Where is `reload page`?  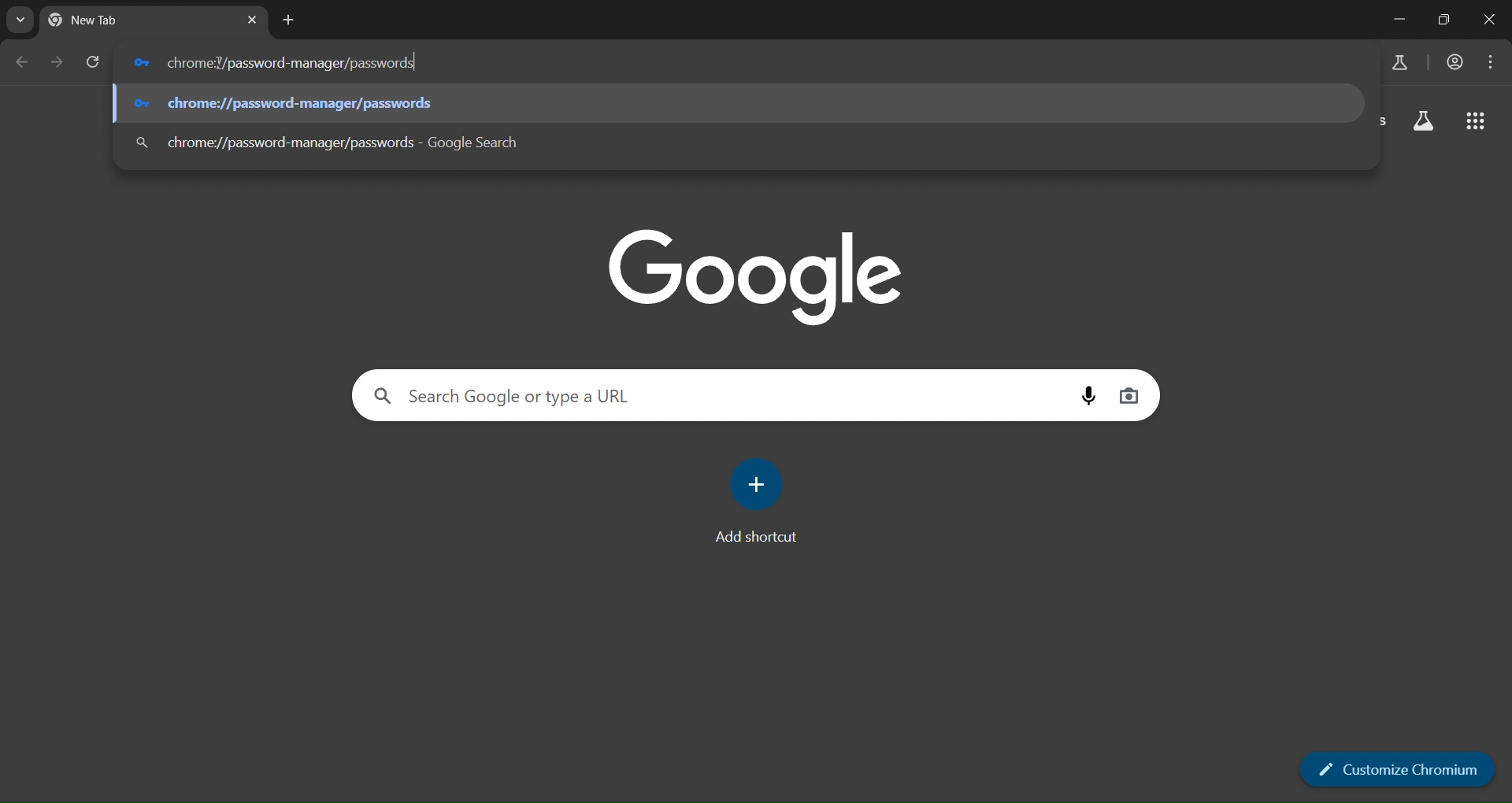
reload page is located at coordinates (95, 62).